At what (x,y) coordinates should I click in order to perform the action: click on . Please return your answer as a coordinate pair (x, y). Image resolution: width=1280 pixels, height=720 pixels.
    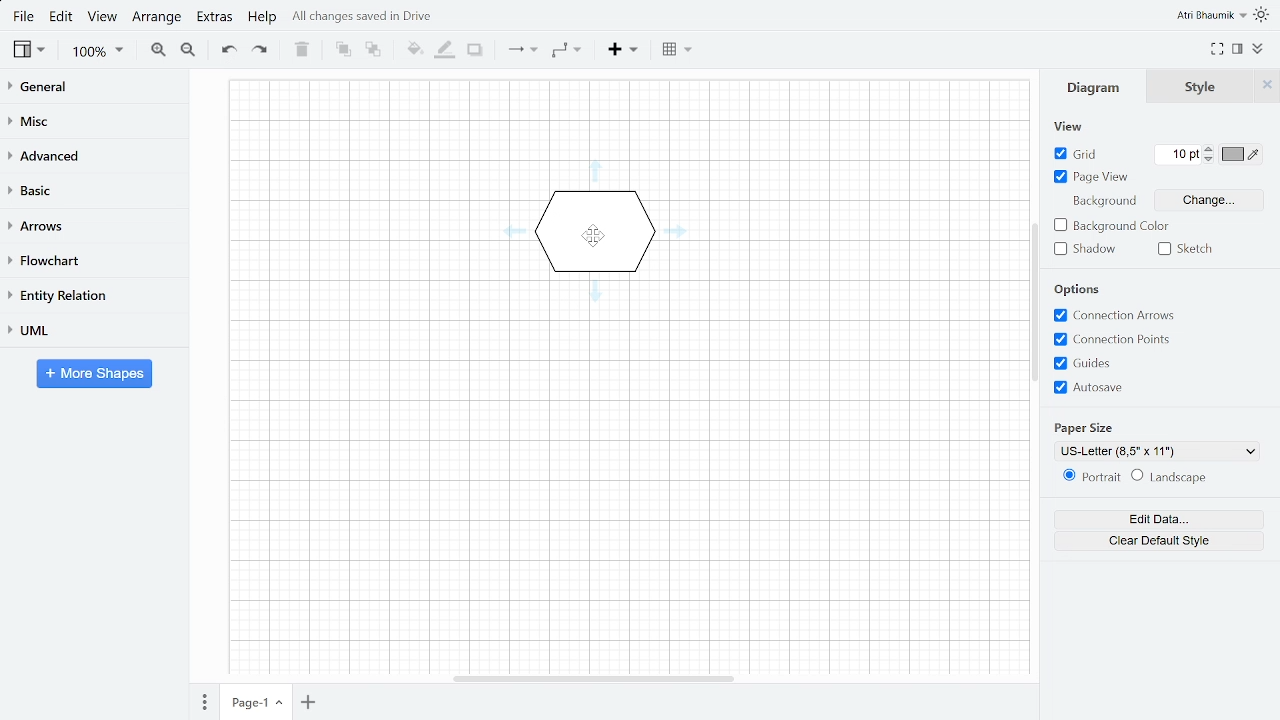
    Looking at the image, I should click on (1034, 302).